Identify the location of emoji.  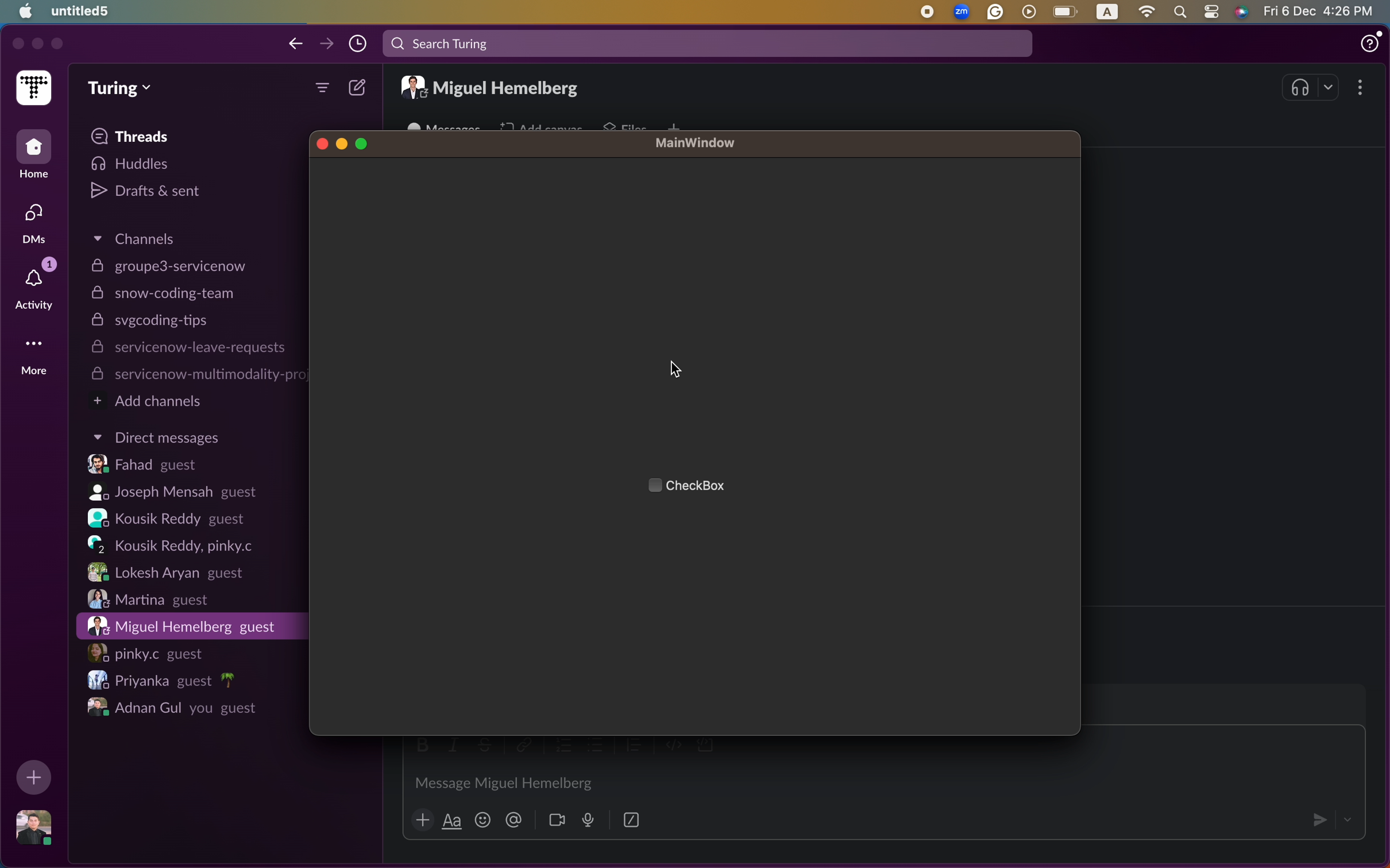
(482, 820).